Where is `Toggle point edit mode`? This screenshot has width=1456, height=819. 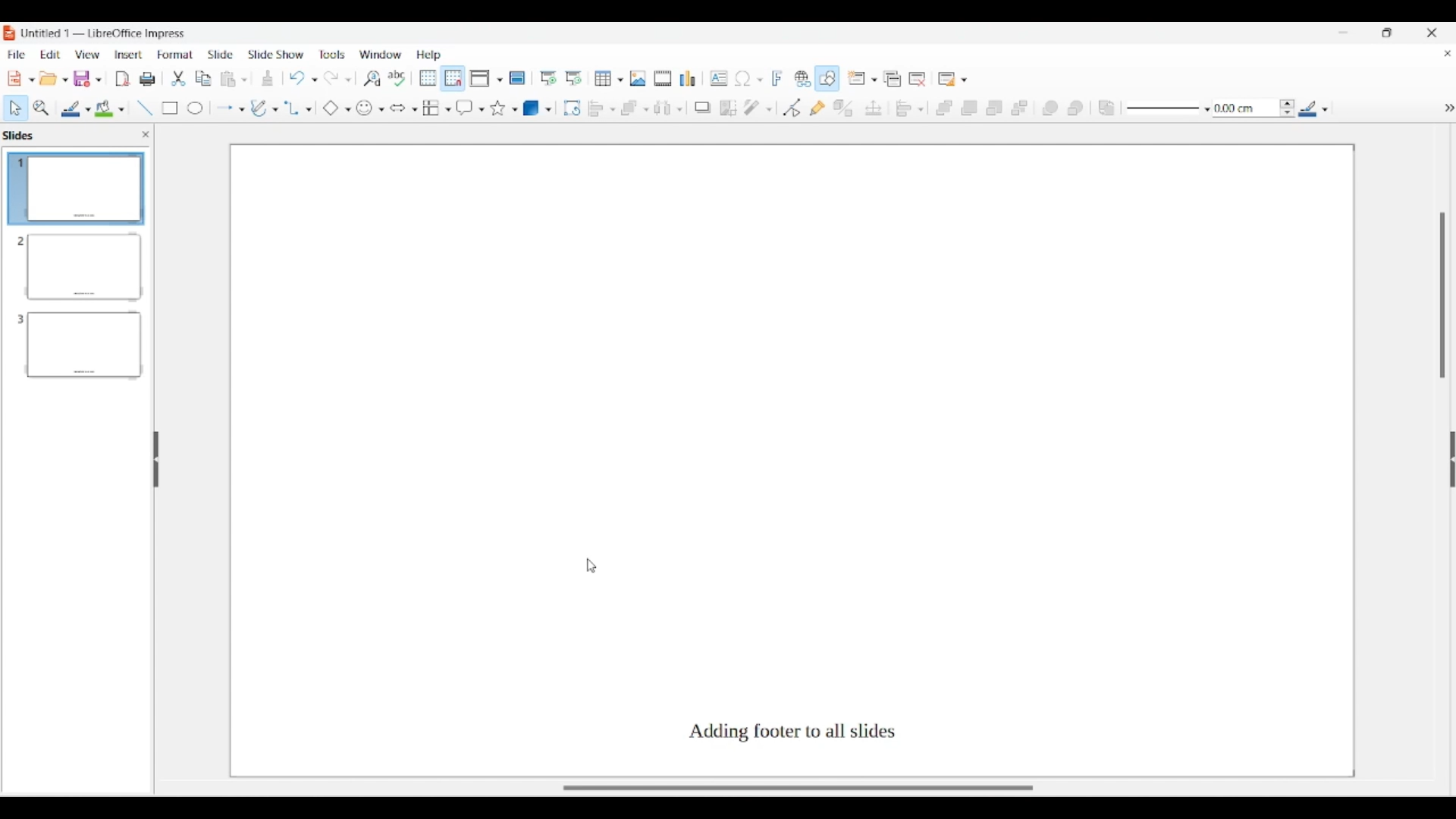 Toggle point edit mode is located at coordinates (792, 108).